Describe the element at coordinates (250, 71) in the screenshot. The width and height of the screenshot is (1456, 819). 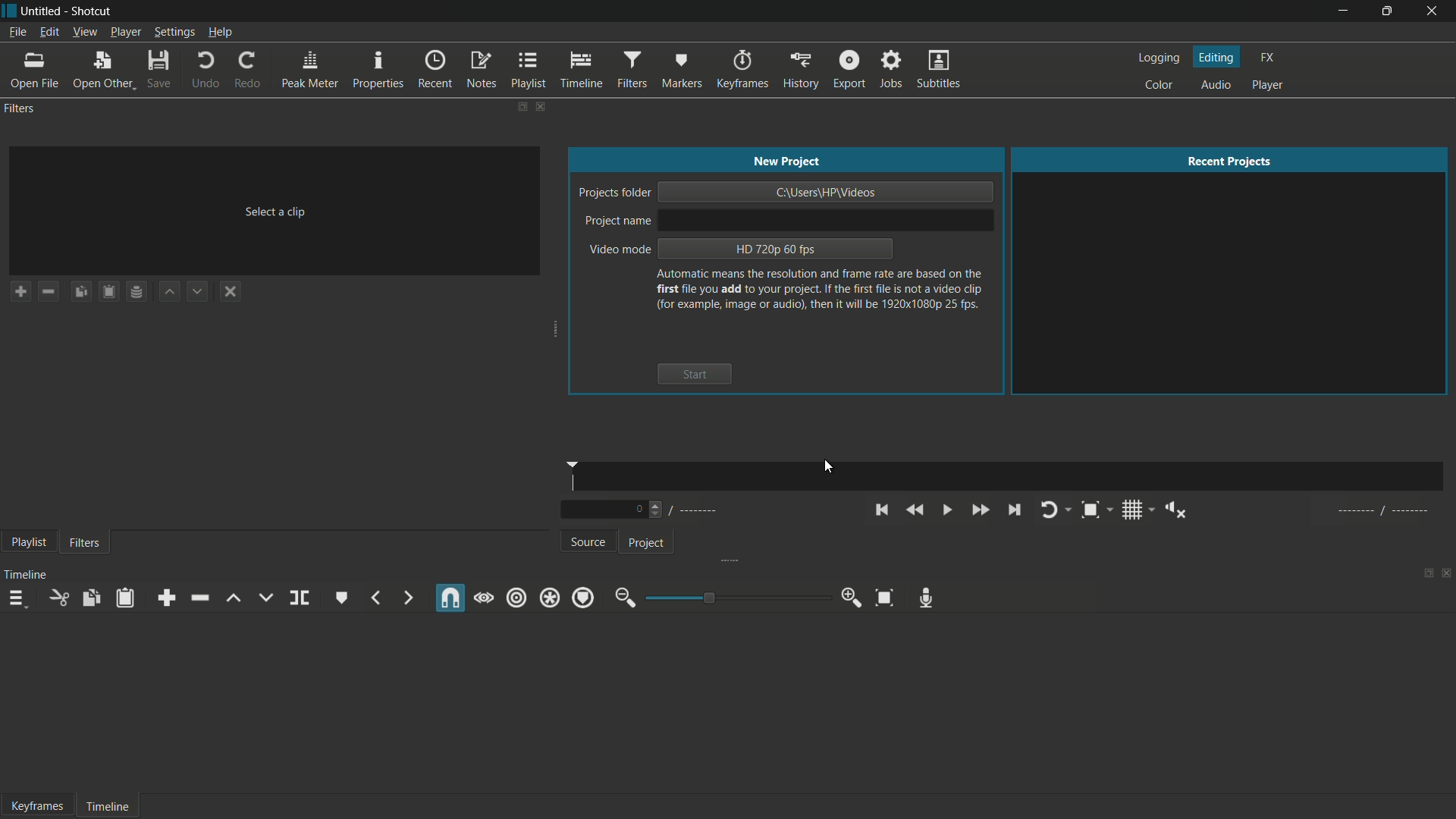
I see `redo` at that location.